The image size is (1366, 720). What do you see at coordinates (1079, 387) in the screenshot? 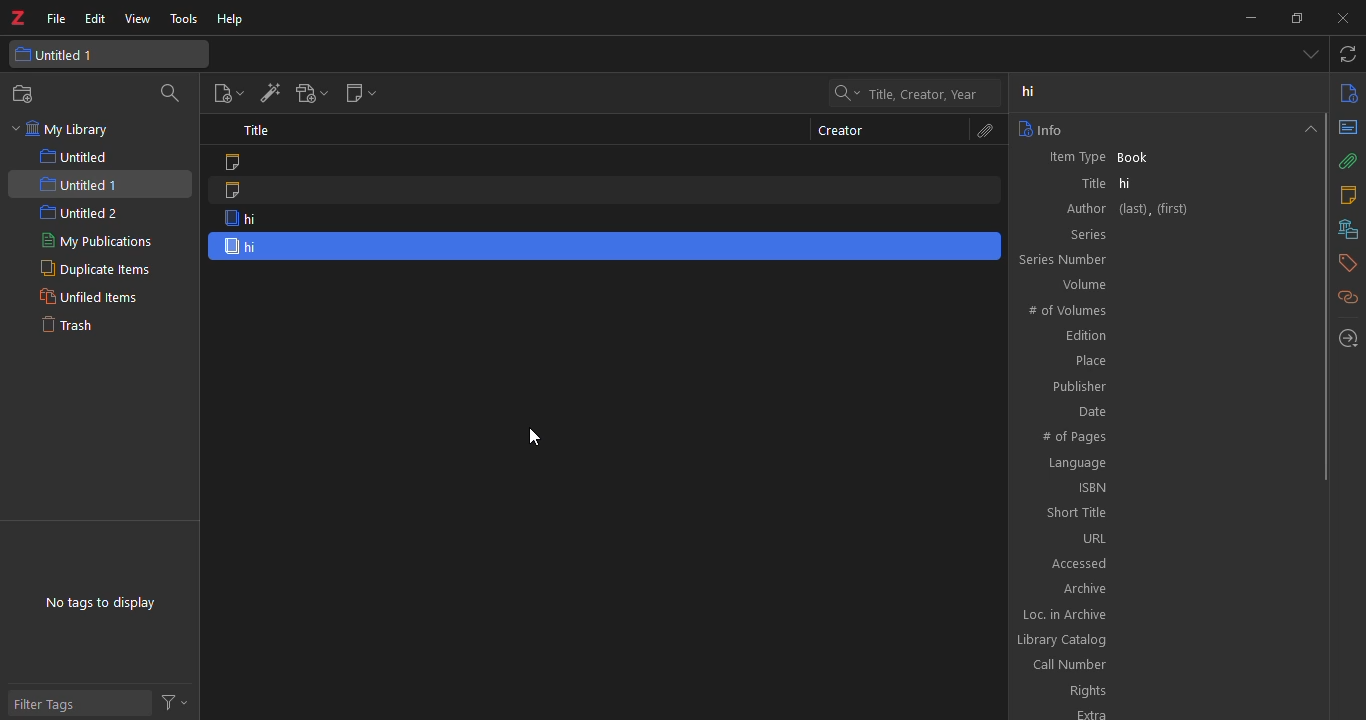
I see `publisher` at bounding box center [1079, 387].